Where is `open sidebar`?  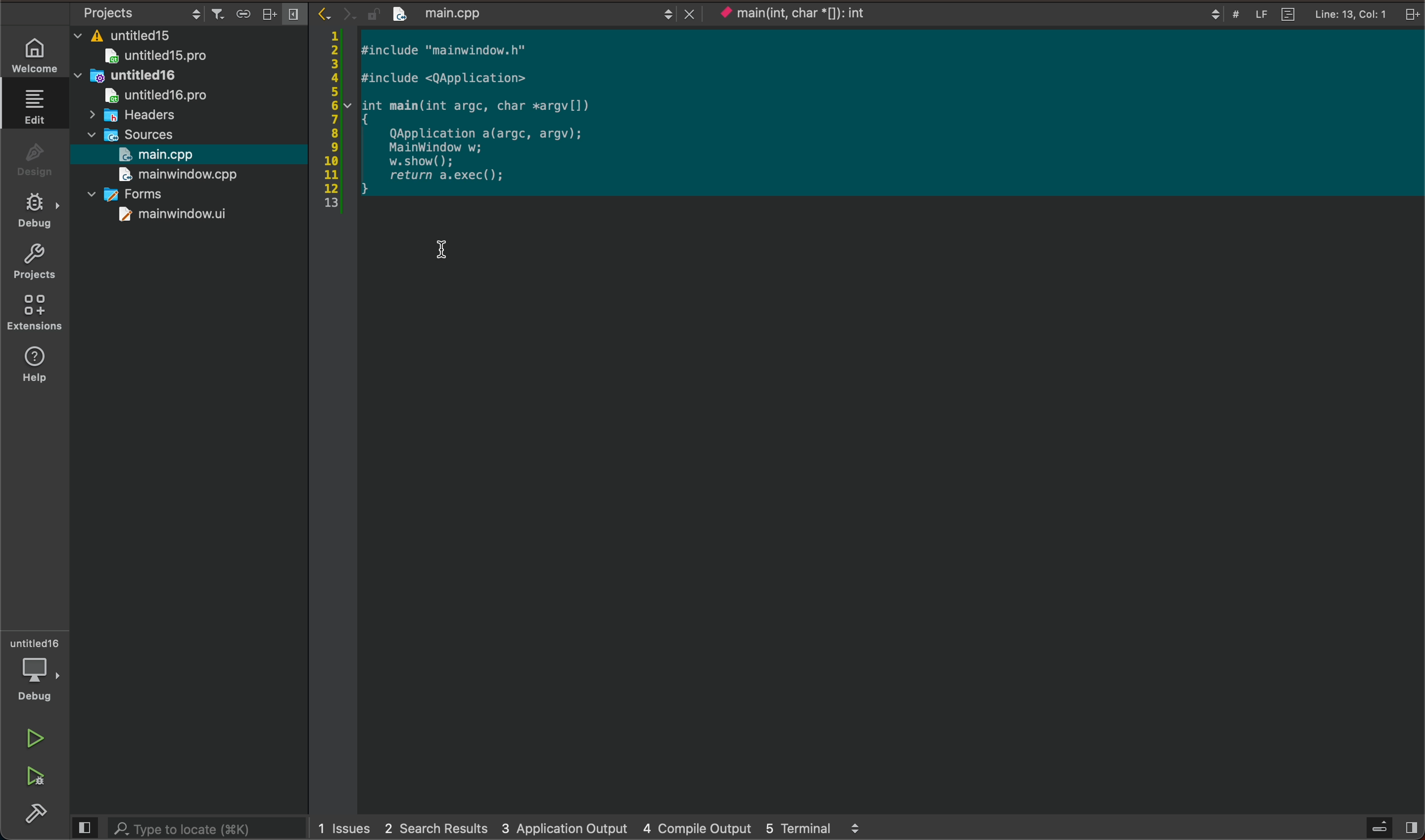 open sidebar is located at coordinates (1388, 828).